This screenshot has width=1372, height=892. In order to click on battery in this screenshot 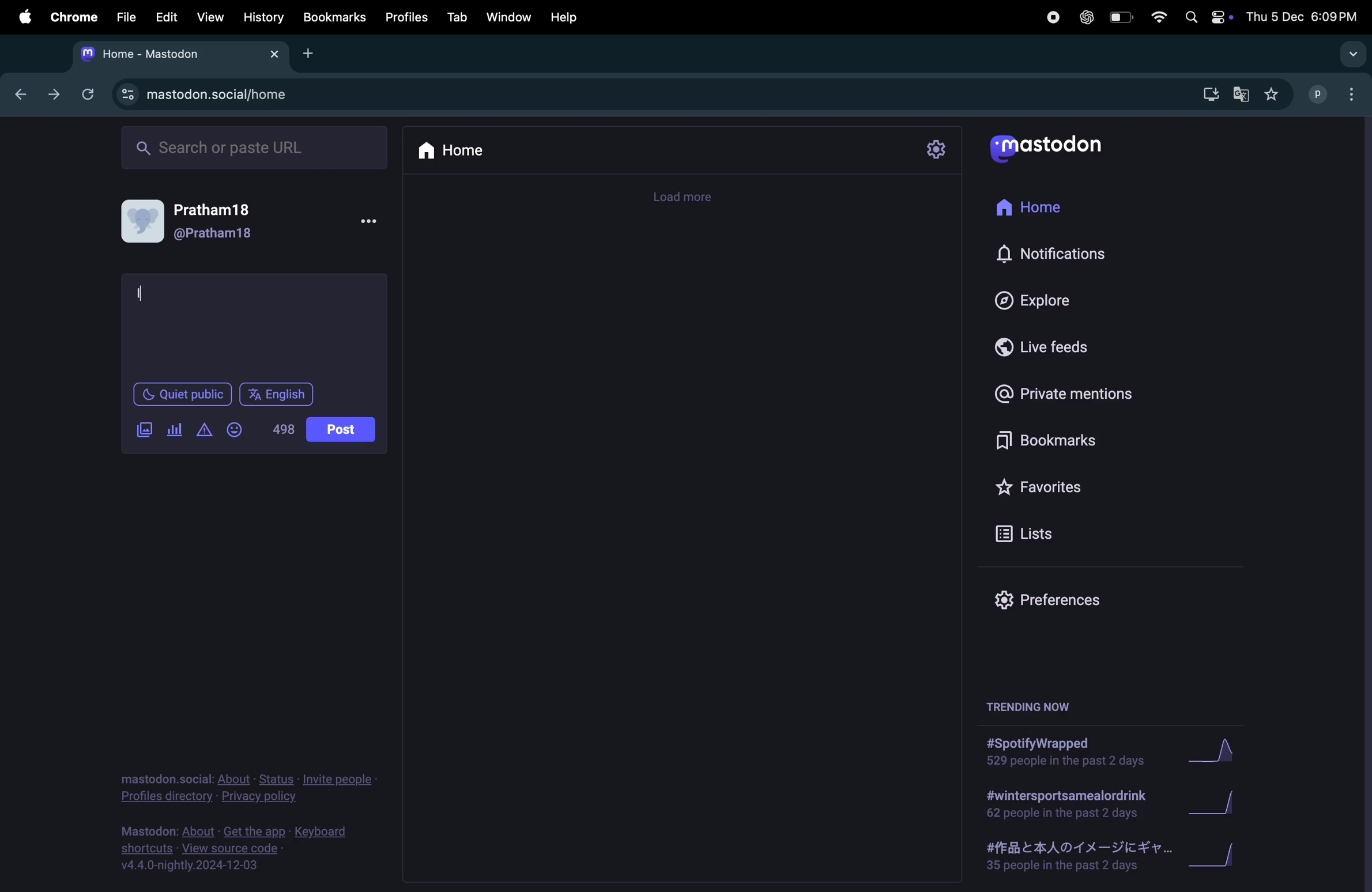, I will do `click(1121, 18)`.